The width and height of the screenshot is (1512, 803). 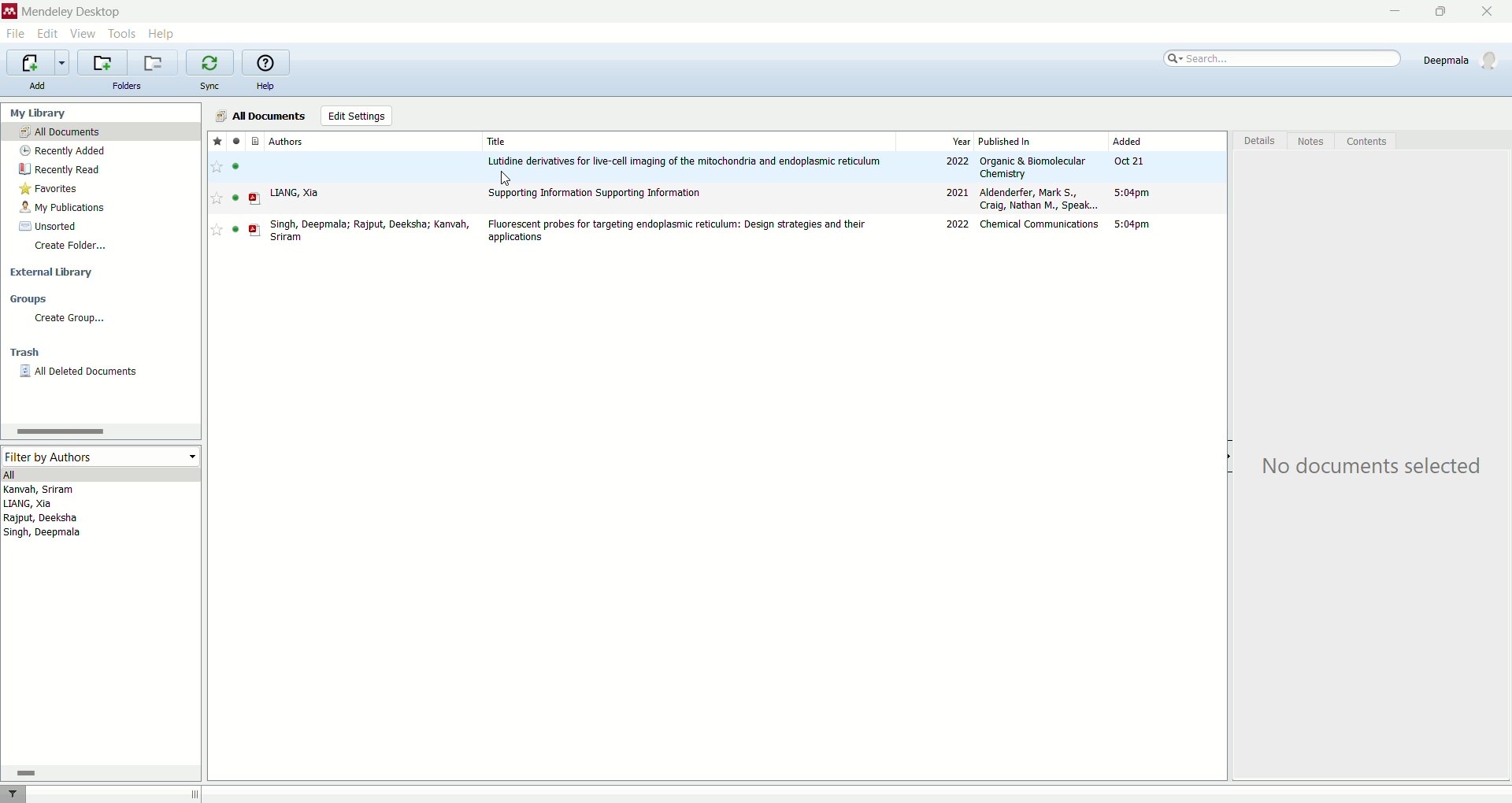 I want to click on tools, so click(x=124, y=35).